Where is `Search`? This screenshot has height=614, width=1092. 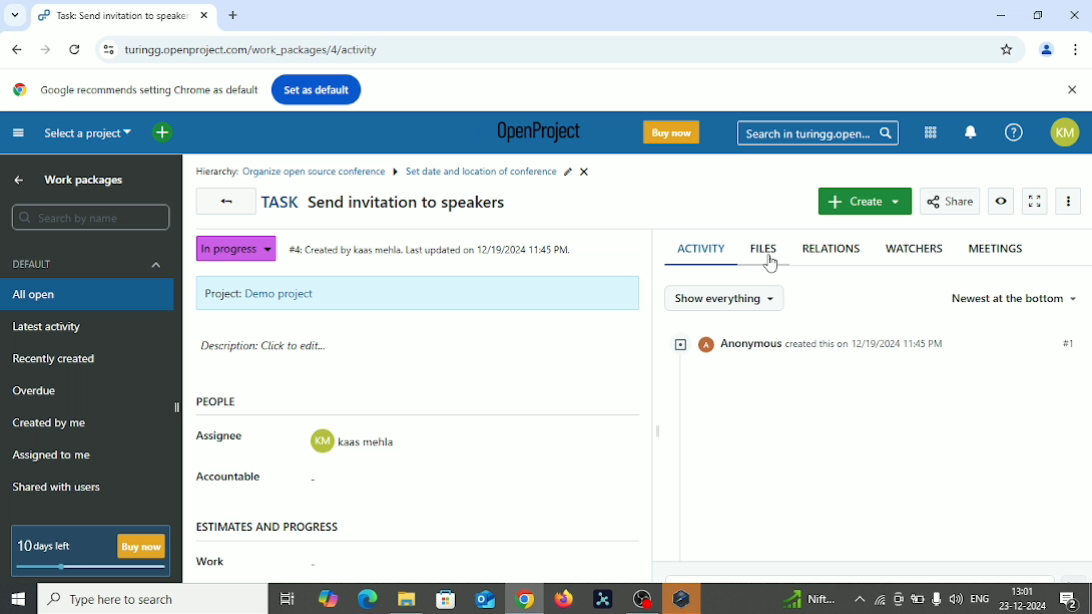 Search is located at coordinates (152, 599).